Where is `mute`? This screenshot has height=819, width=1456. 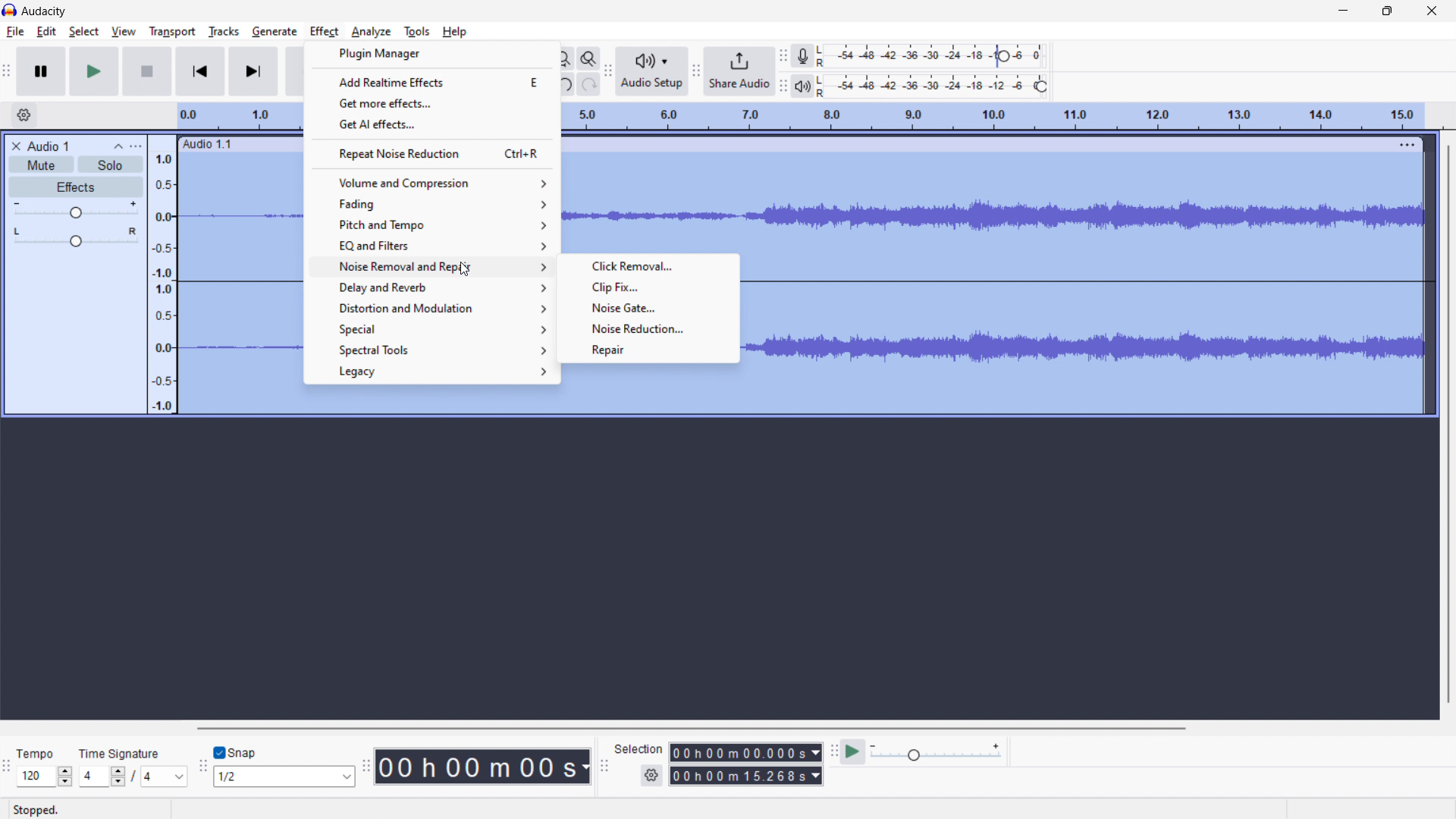
mute is located at coordinates (41, 165).